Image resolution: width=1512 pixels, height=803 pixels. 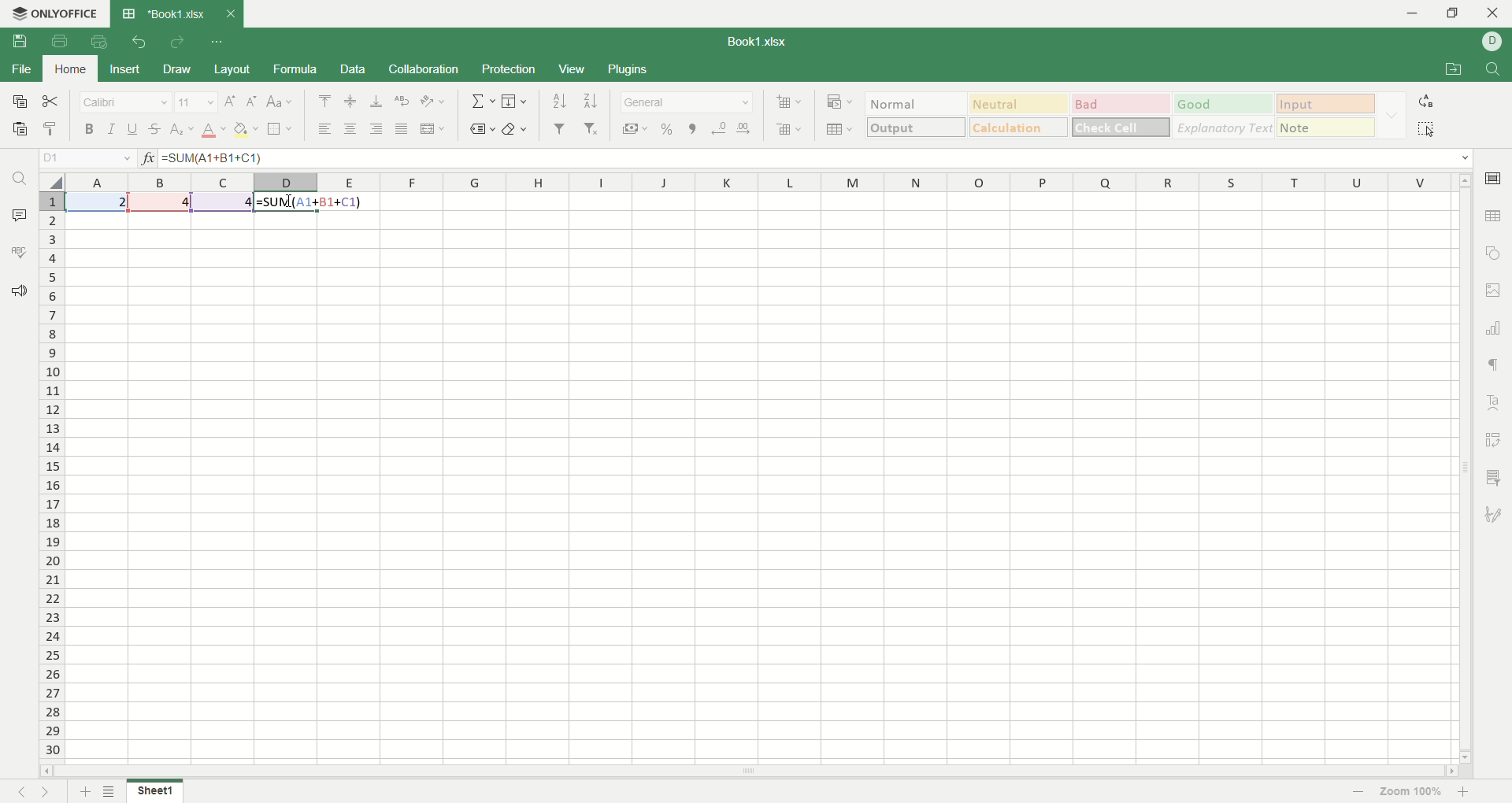 I want to click on font color, so click(x=212, y=131).